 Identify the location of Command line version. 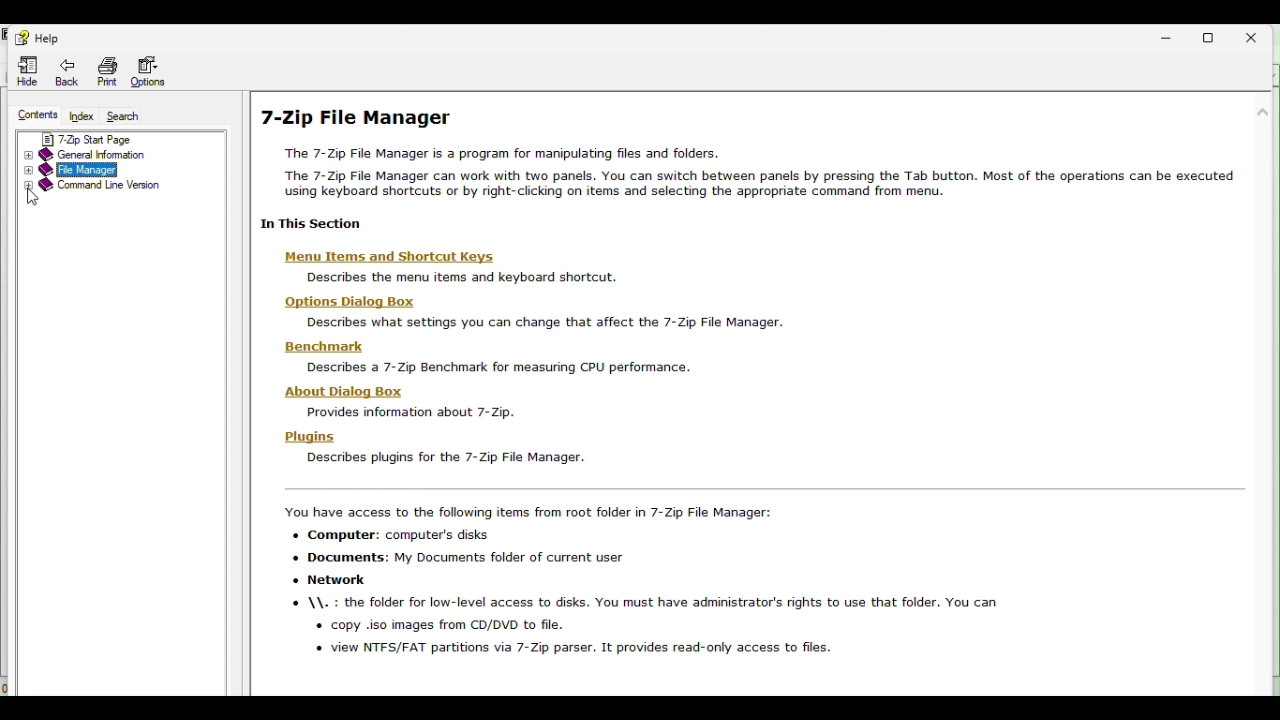
(104, 190).